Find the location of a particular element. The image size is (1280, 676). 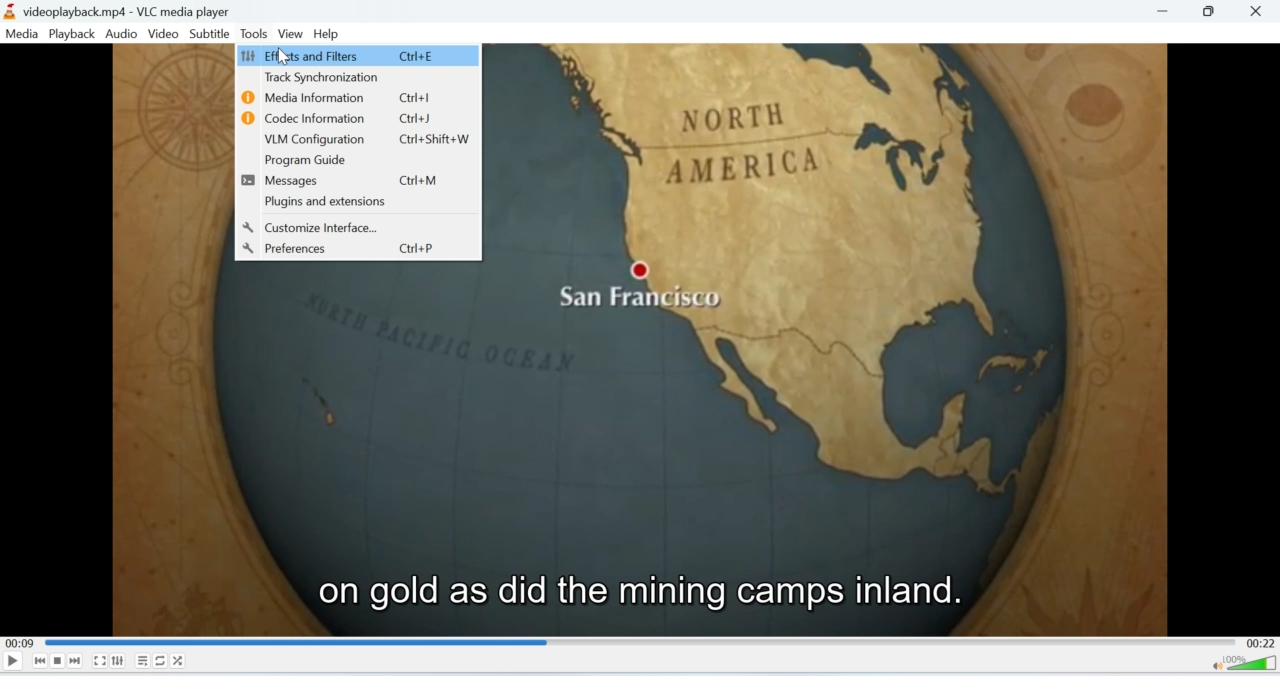

Audio is located at coordinates (122, 33).